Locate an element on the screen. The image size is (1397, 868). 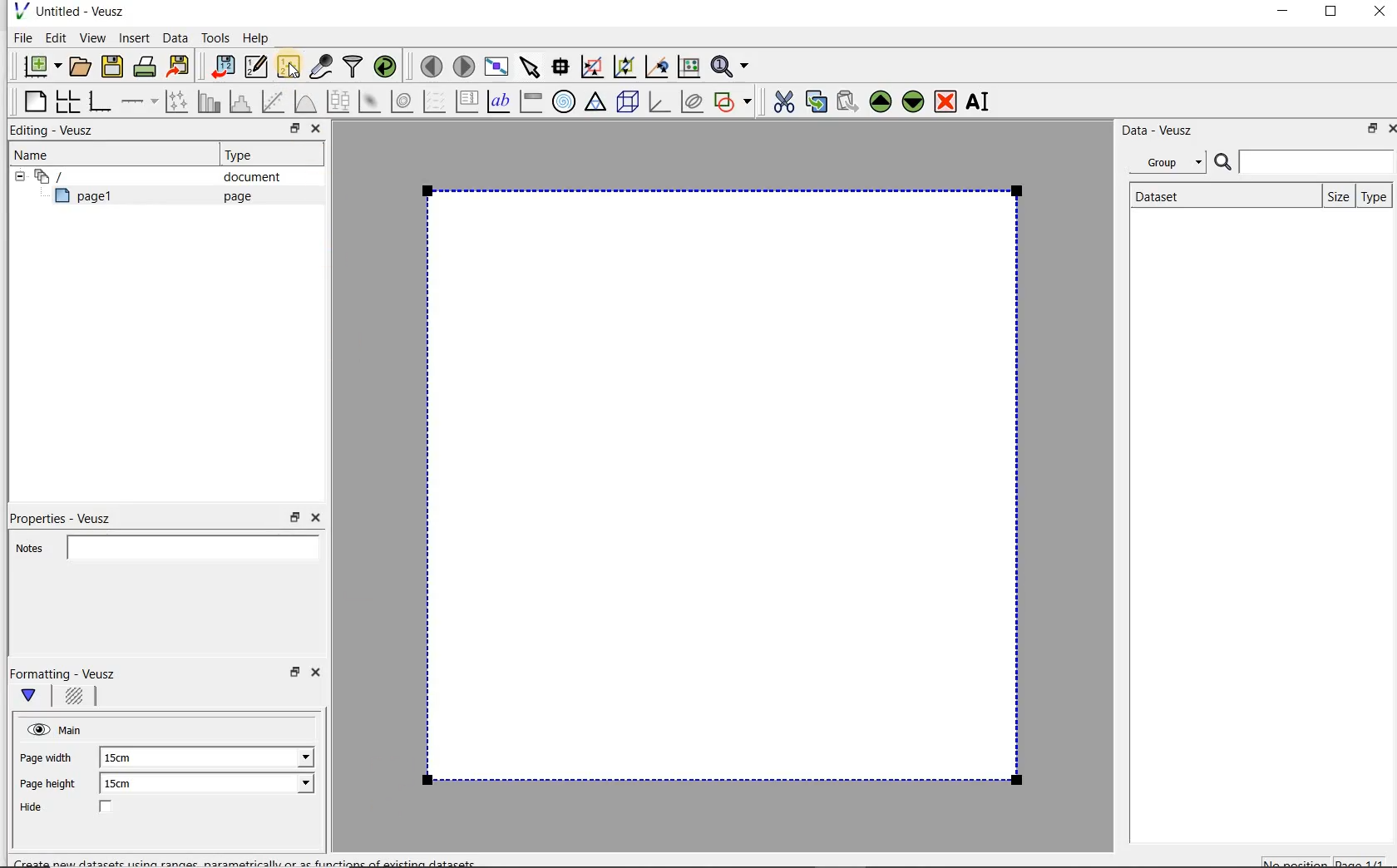
Type is located at coordinates (245, 155).